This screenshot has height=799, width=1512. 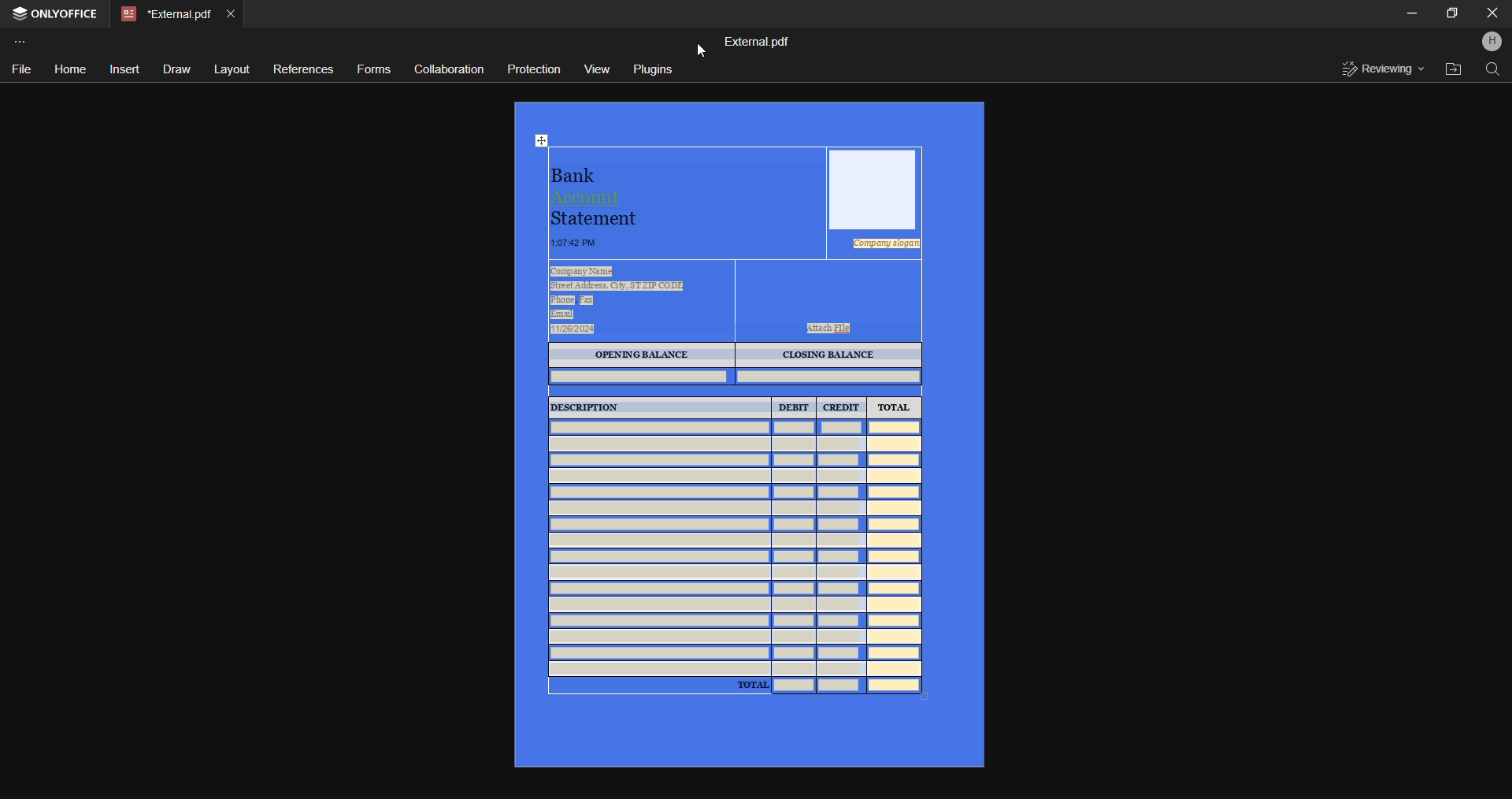 I want to click on External.pdf(File name), so click(x=758, y=40).